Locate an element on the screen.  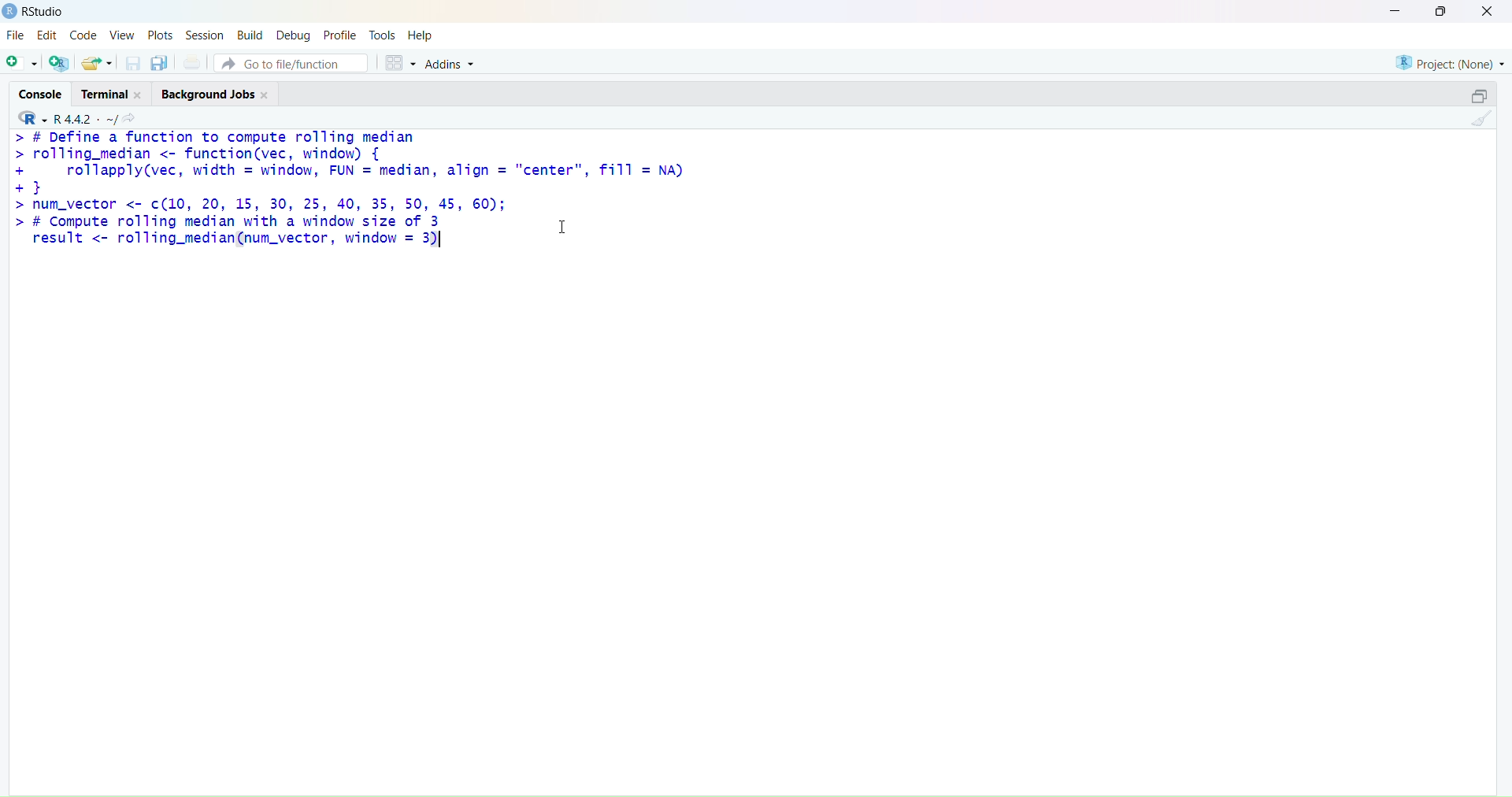
help is located at coordinates (422, 36).